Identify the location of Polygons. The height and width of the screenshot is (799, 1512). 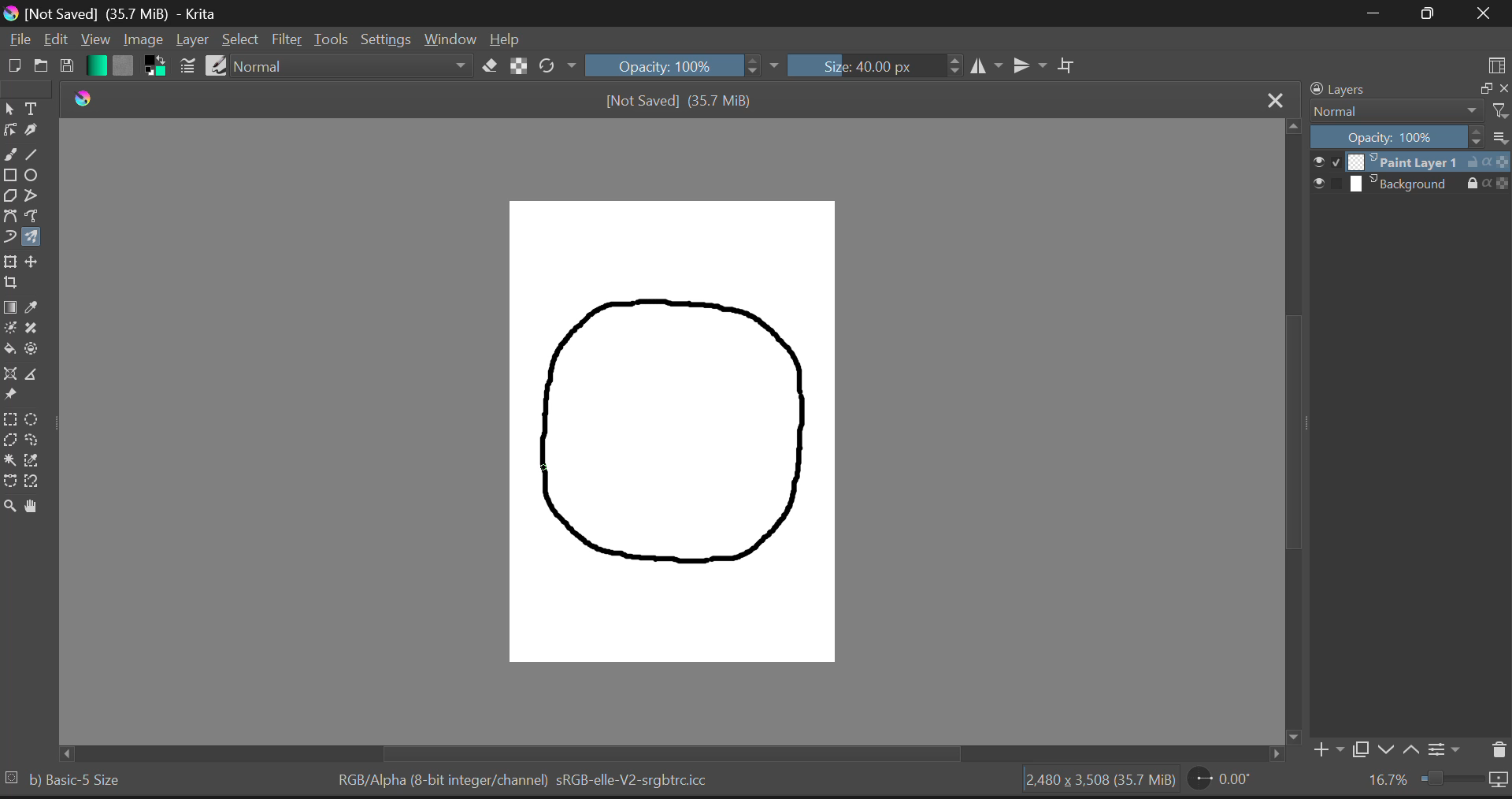
(9, 195).